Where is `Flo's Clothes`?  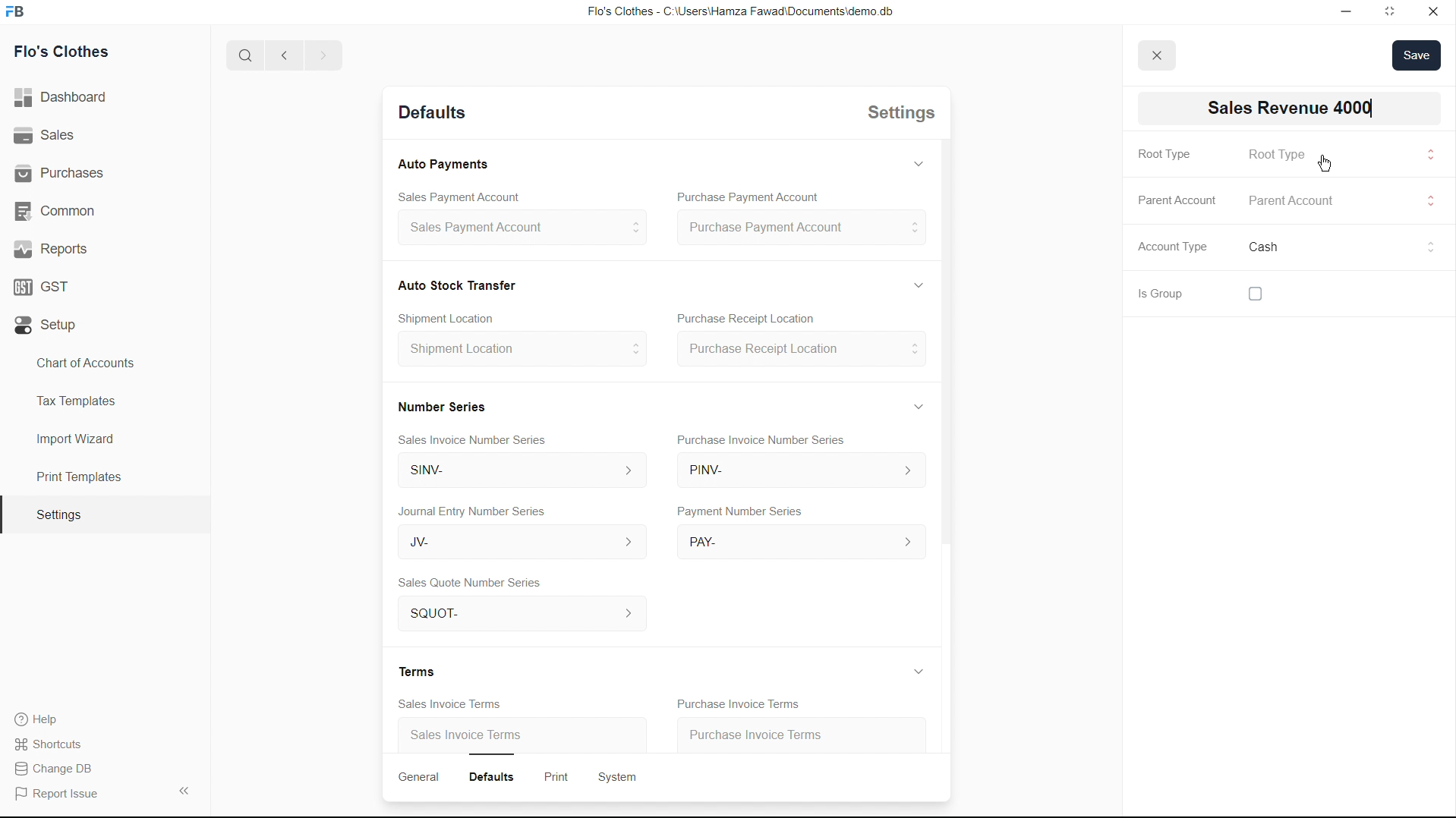 Flo's Clothes is located at coordinates (68, 54).